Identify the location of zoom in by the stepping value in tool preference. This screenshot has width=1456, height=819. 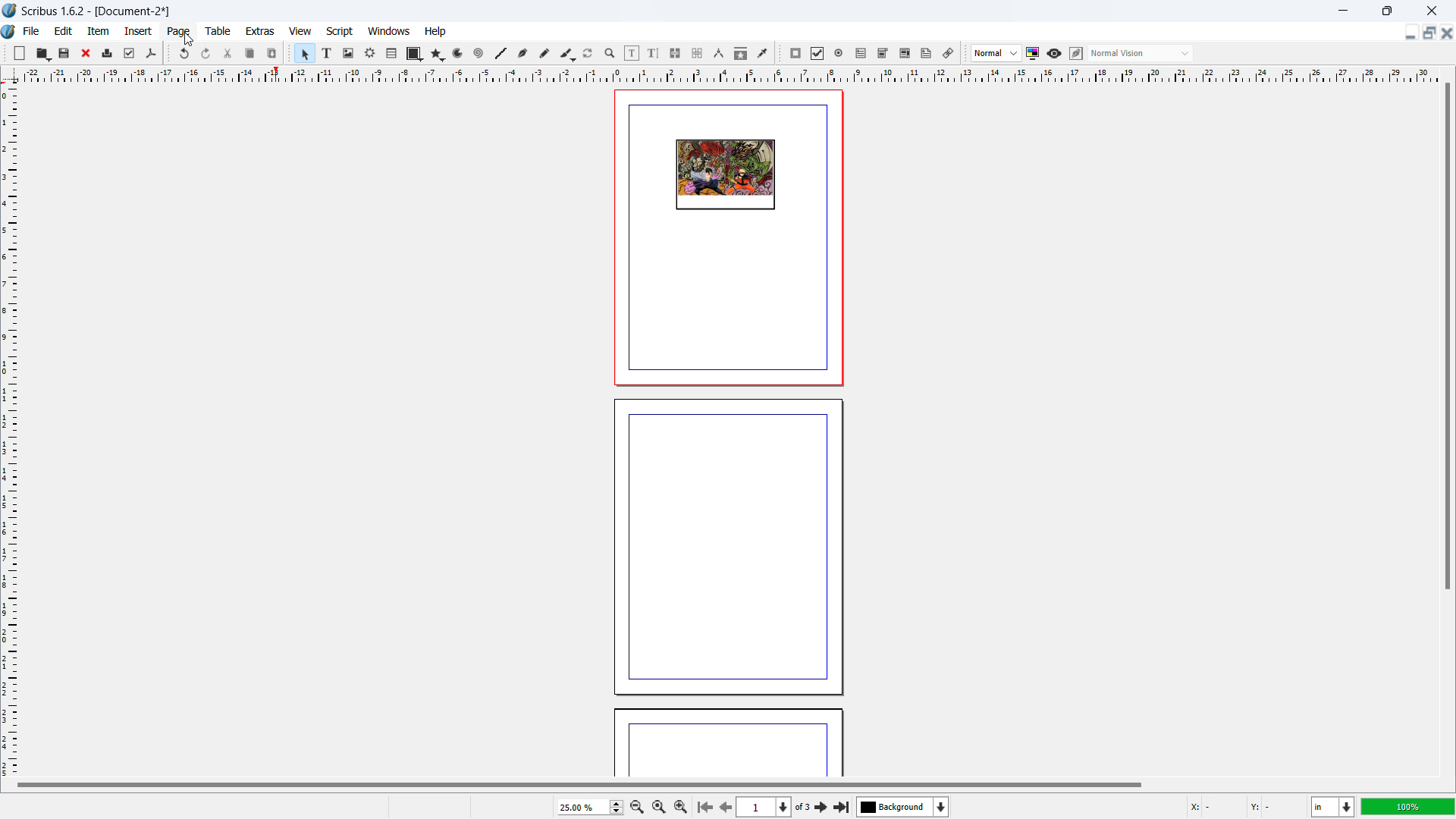
(681, 805).